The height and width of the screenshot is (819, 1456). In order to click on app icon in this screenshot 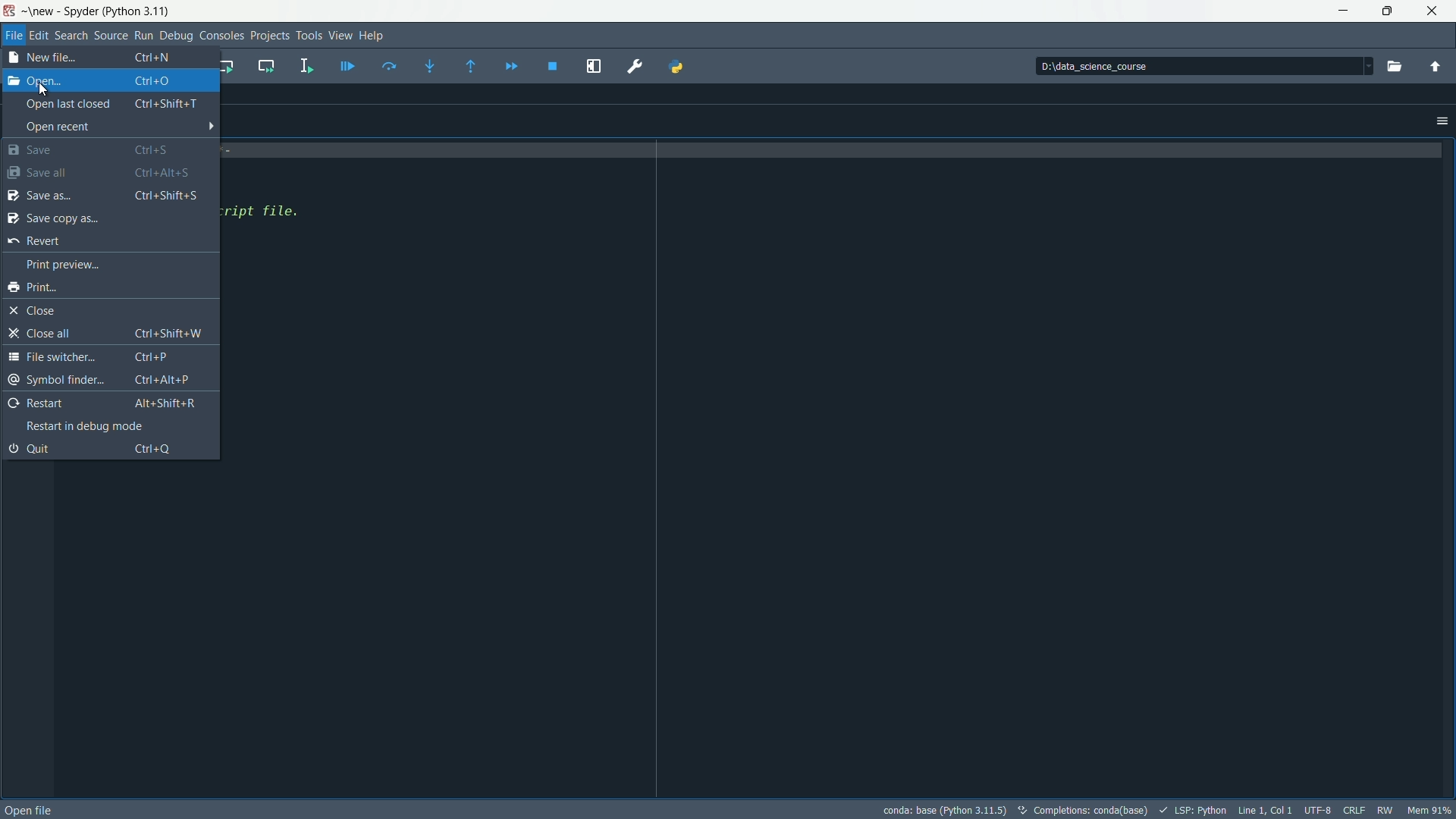, I will do `click(12, 11)`.